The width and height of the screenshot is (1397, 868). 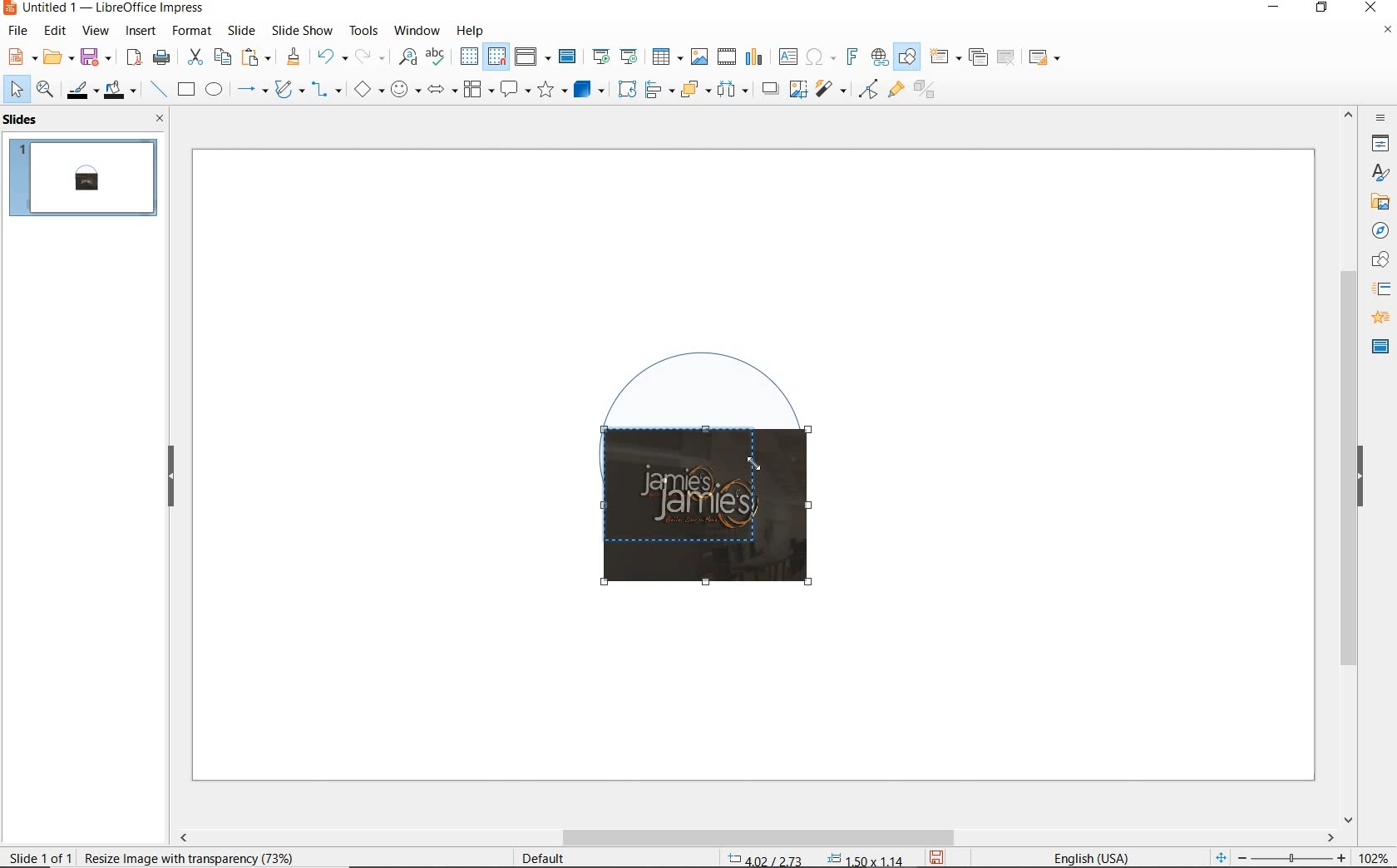 What do you see at coordinates (42, 854) in the screenshot?
I see `slide 1 of 1` at bounding box center [42, 854].